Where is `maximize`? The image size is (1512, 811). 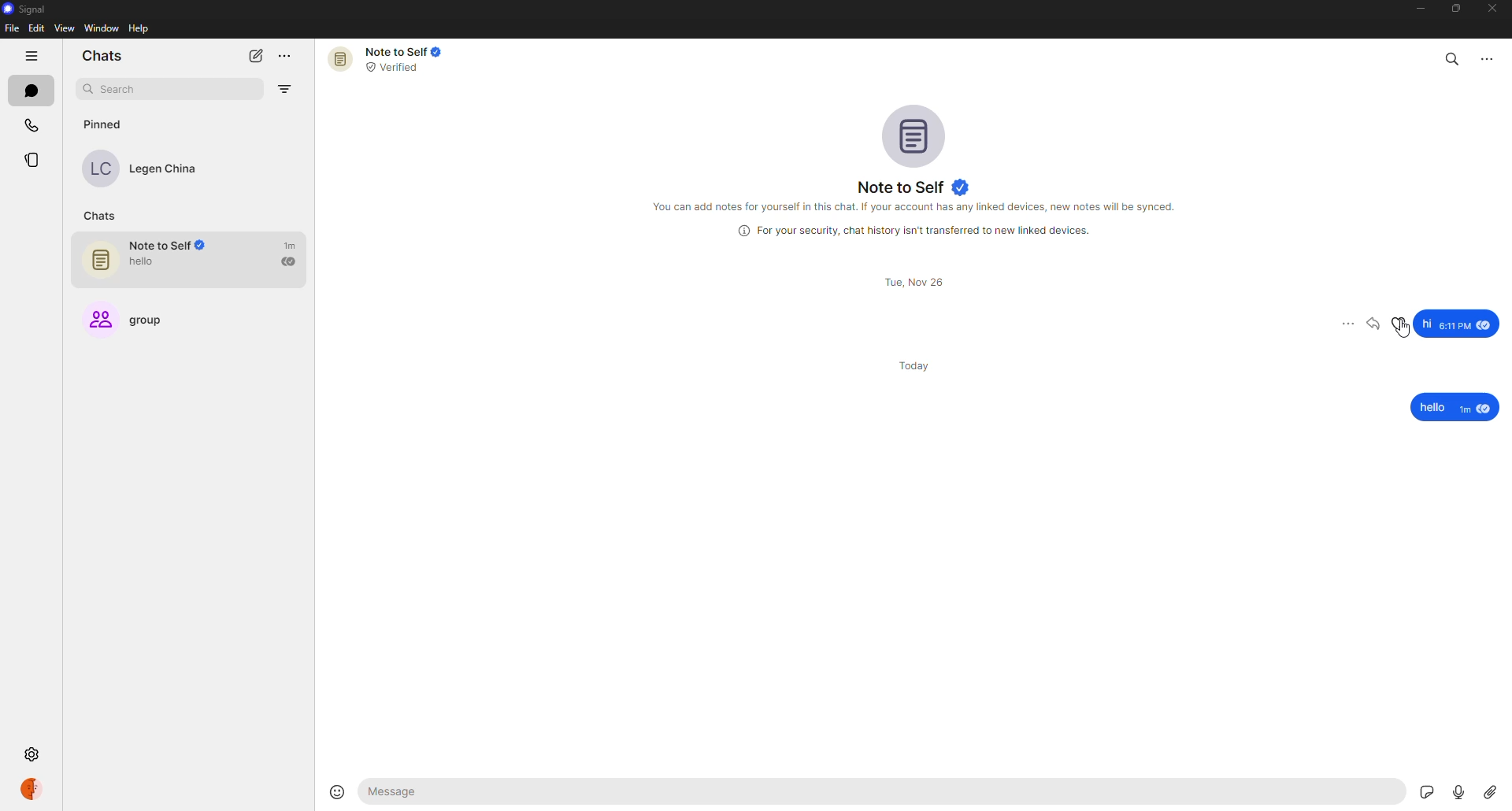 maximize is located at coordinates (1454, 10).